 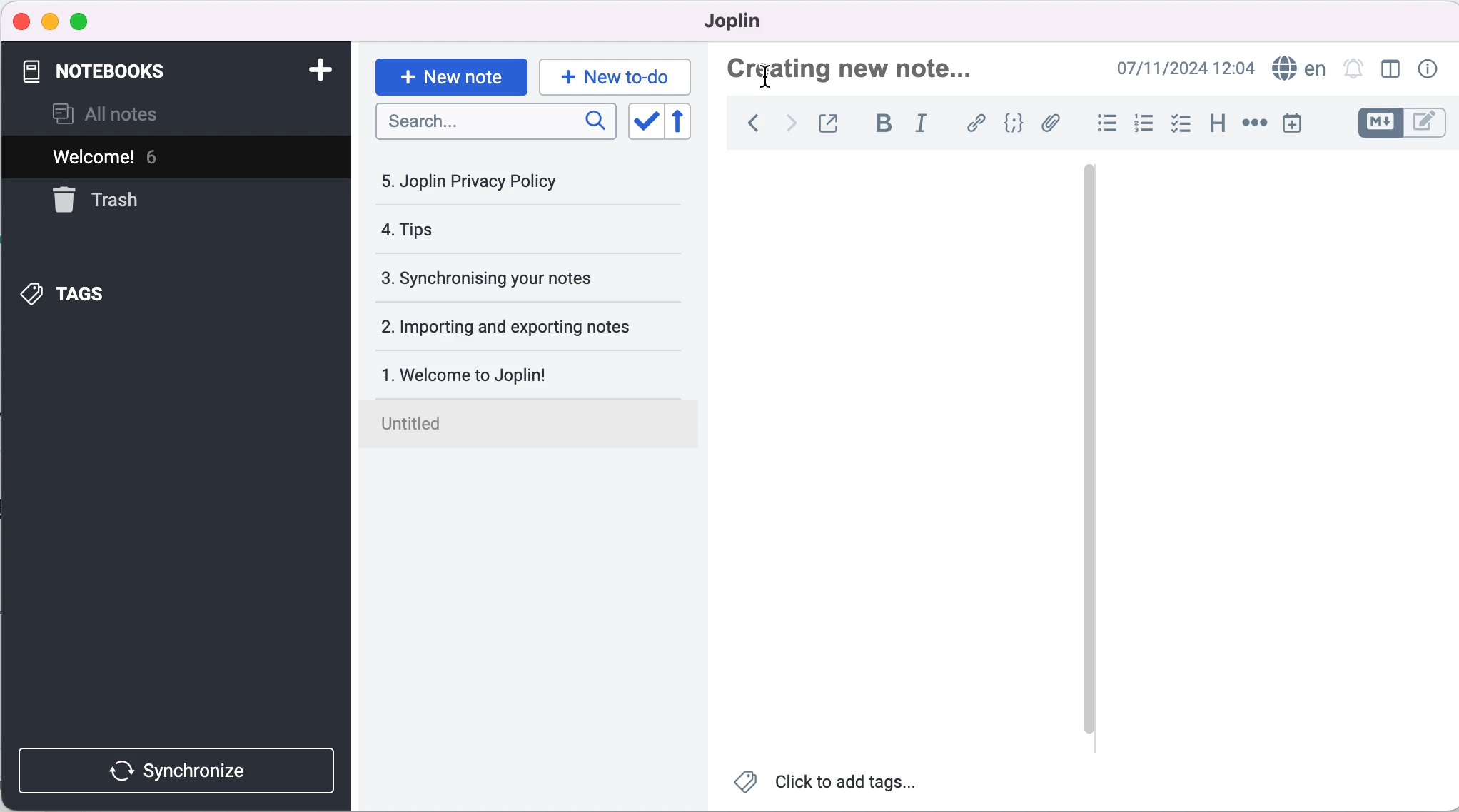 I want to click on new note, so click(x=449, y=76).